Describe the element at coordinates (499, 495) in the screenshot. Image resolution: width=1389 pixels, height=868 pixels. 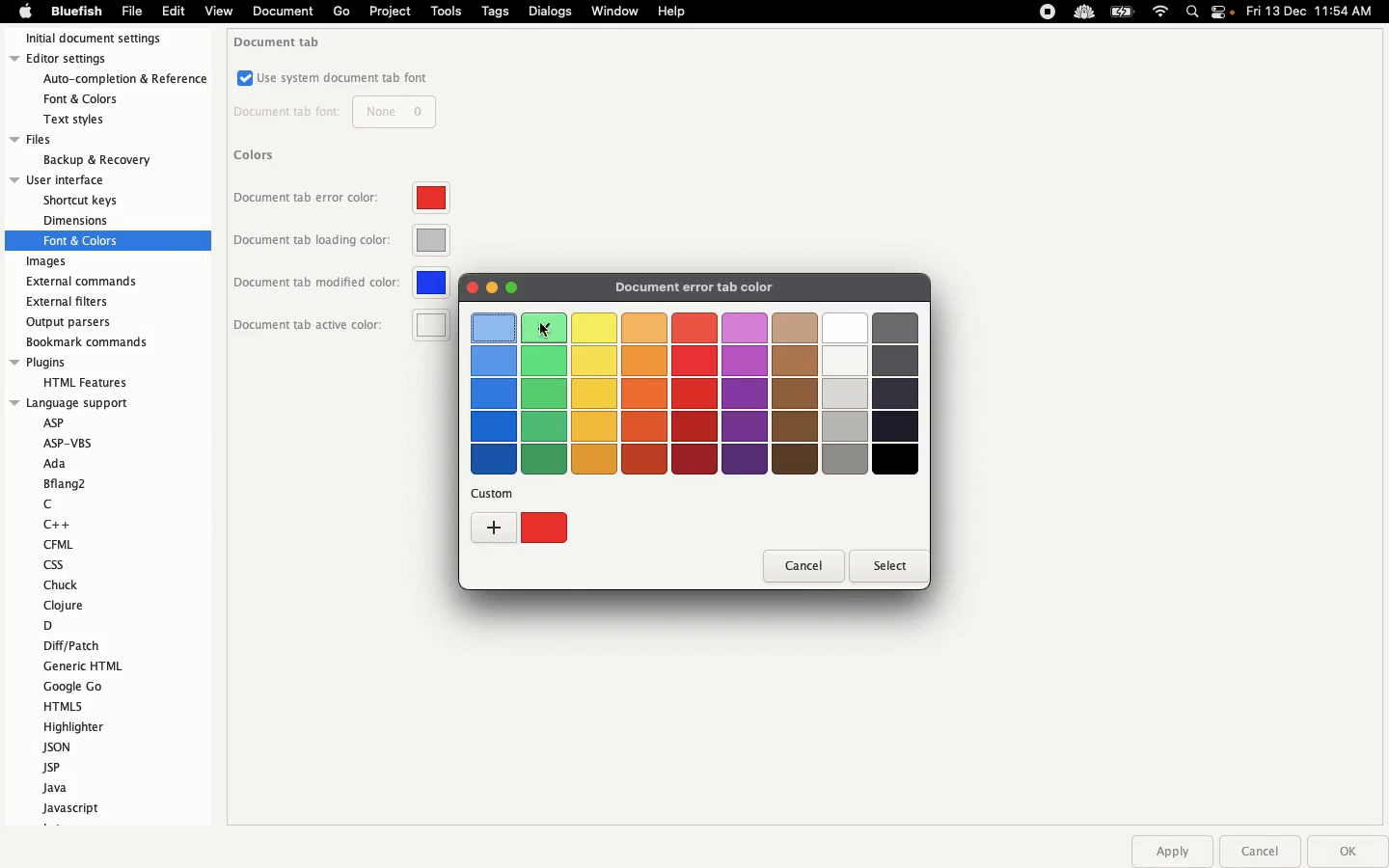
I see `custom` at that location.